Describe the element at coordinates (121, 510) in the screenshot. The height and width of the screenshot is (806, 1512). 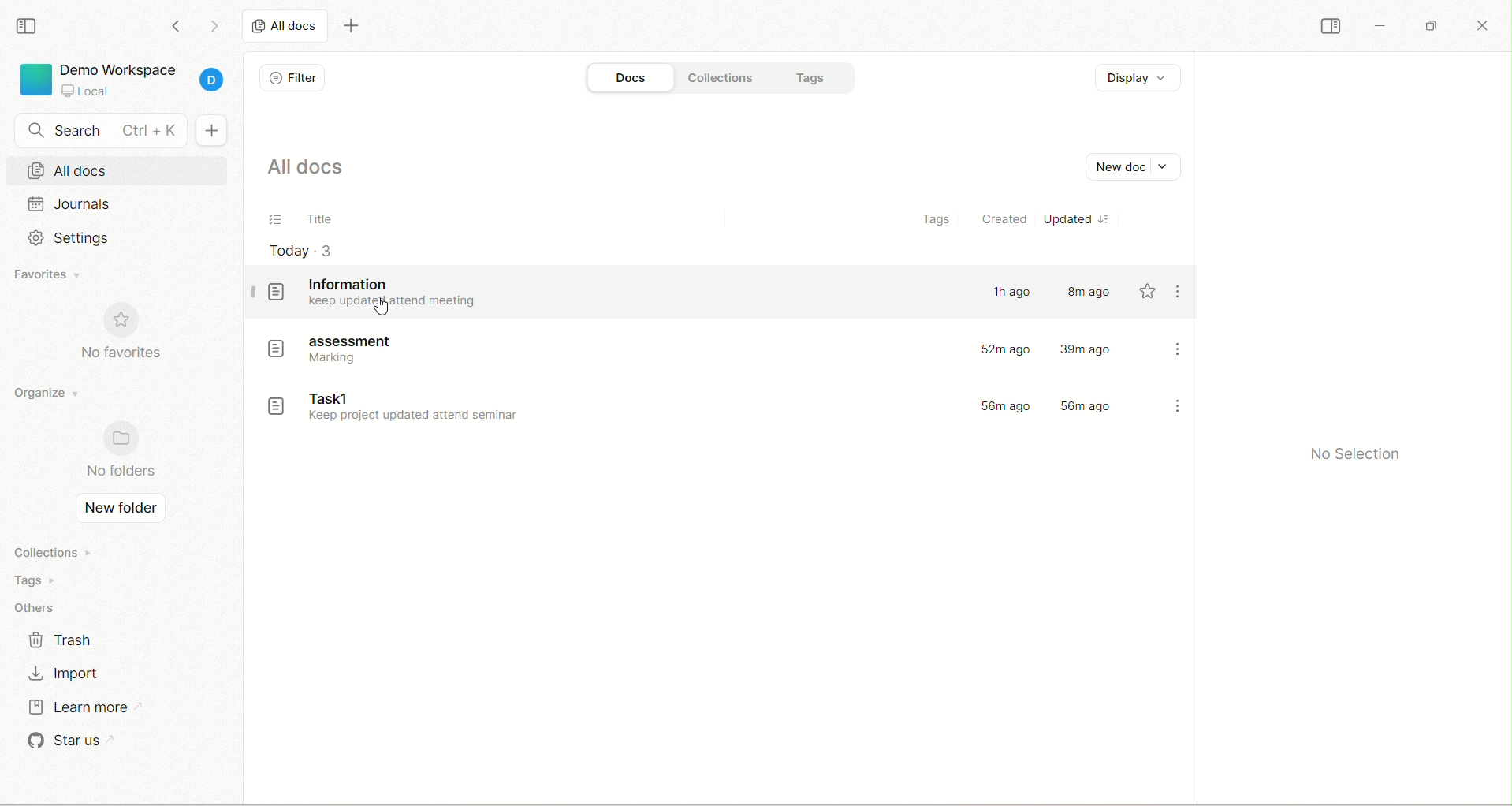
I see `new folder` at that location.